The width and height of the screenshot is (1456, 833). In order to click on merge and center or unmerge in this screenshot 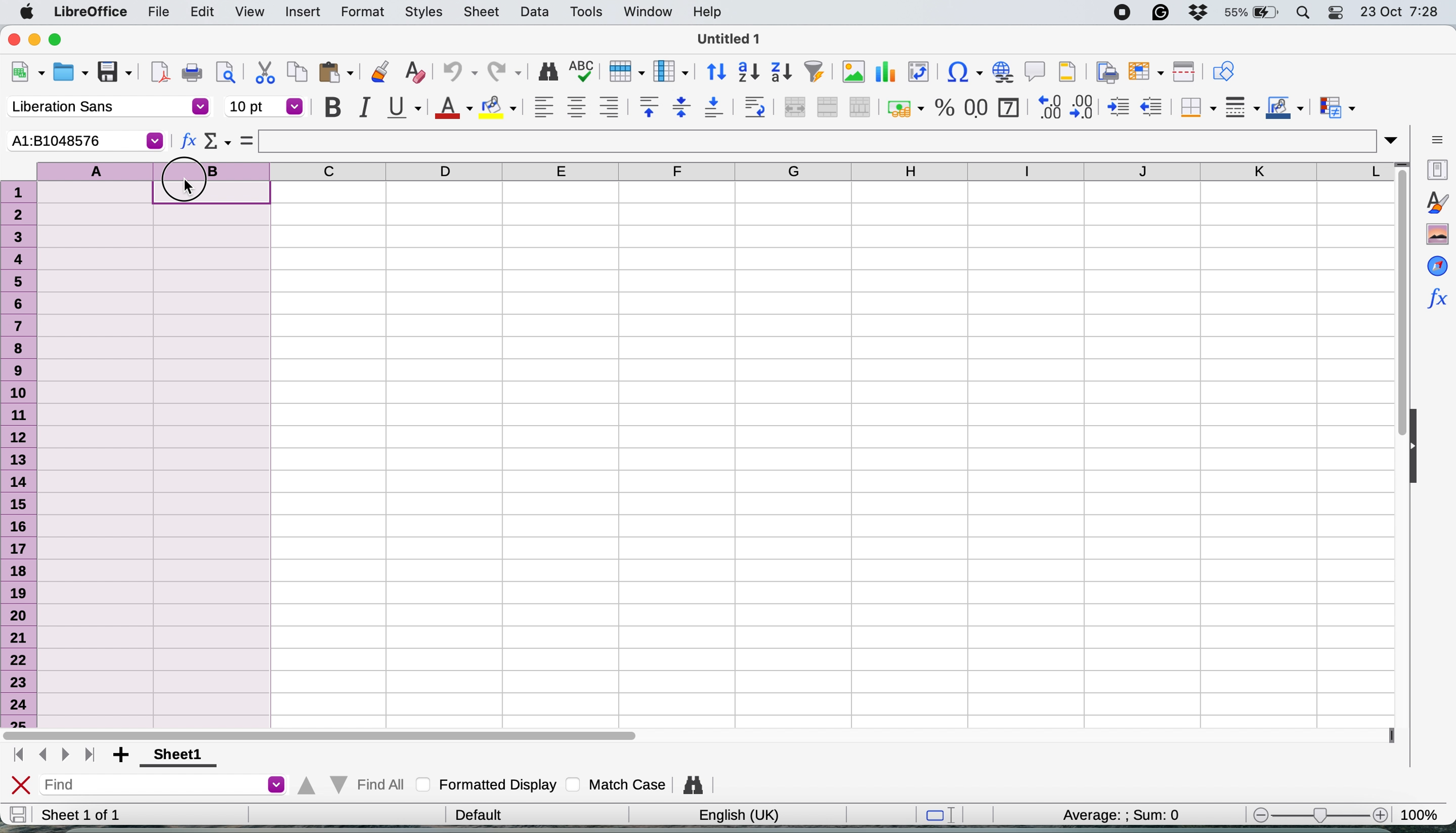, I will do `click(795, 108)`.